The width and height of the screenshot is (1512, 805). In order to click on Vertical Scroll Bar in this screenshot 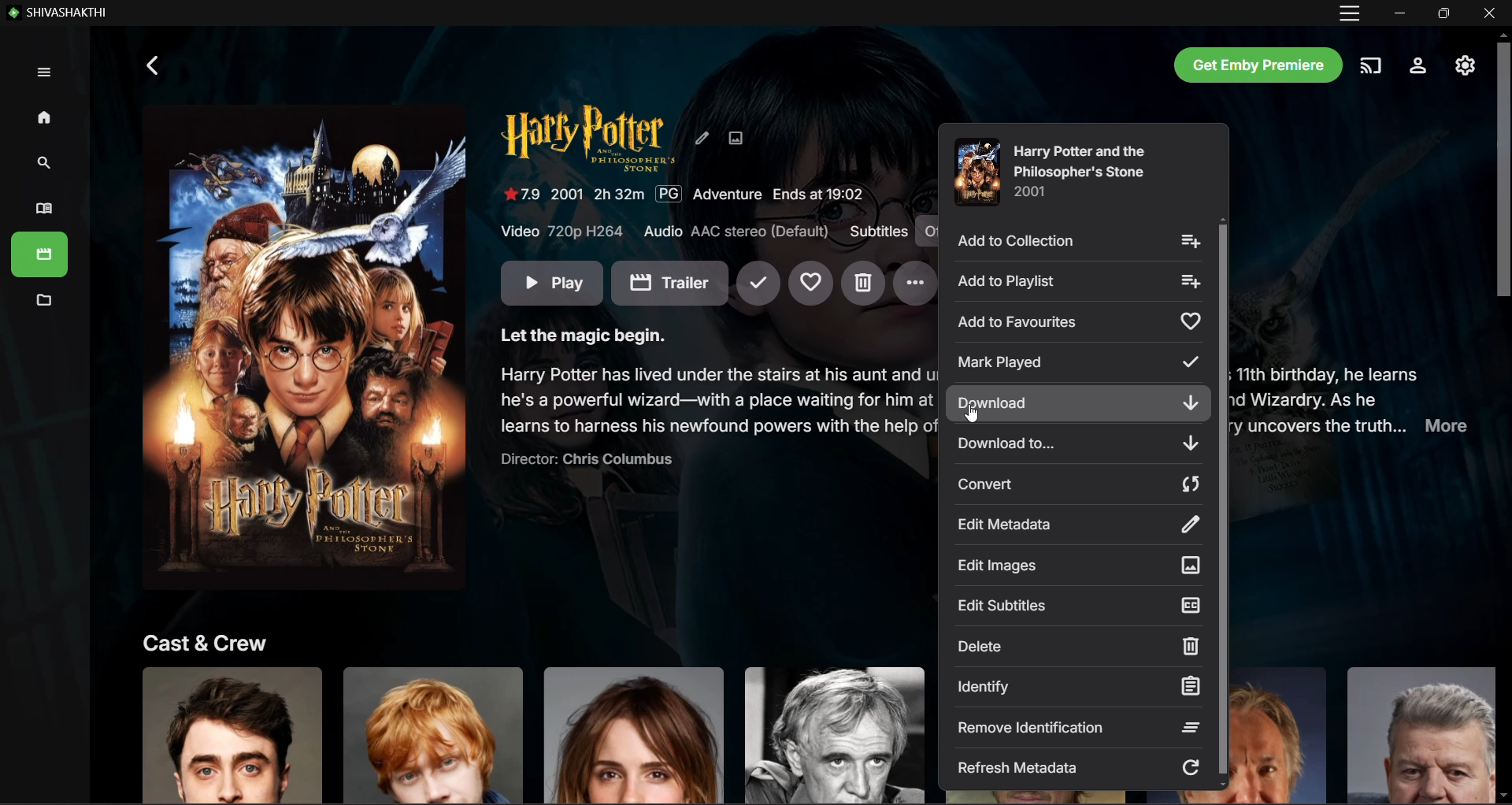, I will do `click(1501, 417)`.